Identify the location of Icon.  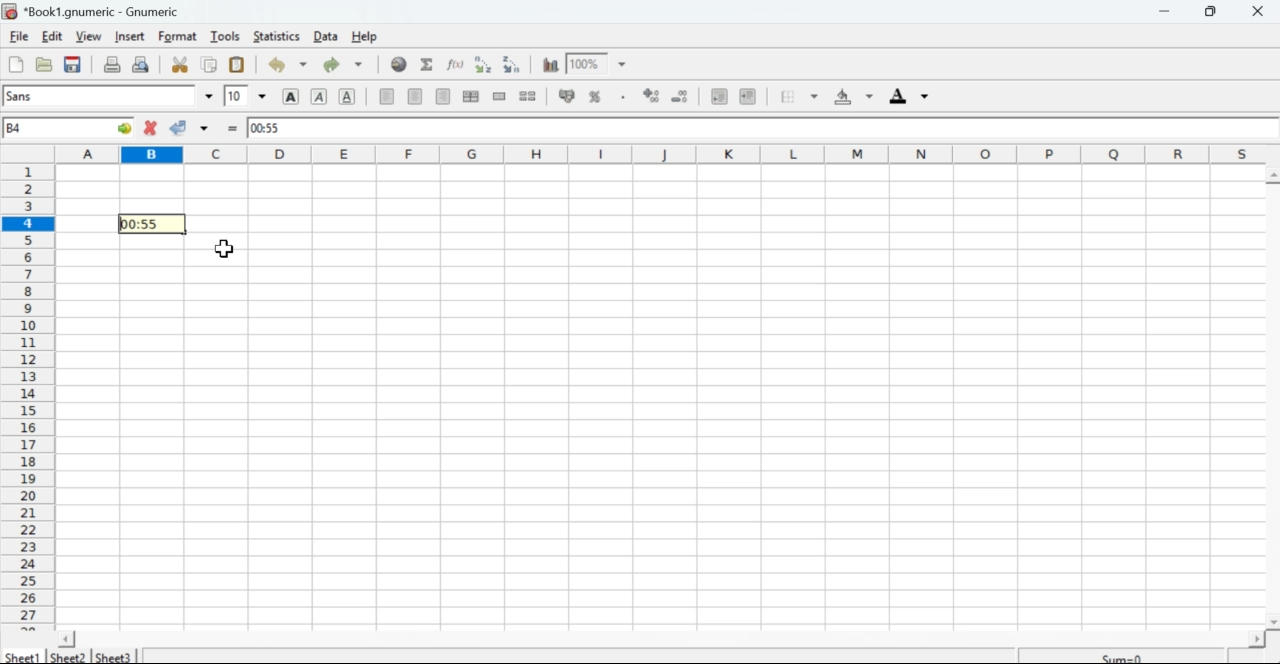
(684, 95).